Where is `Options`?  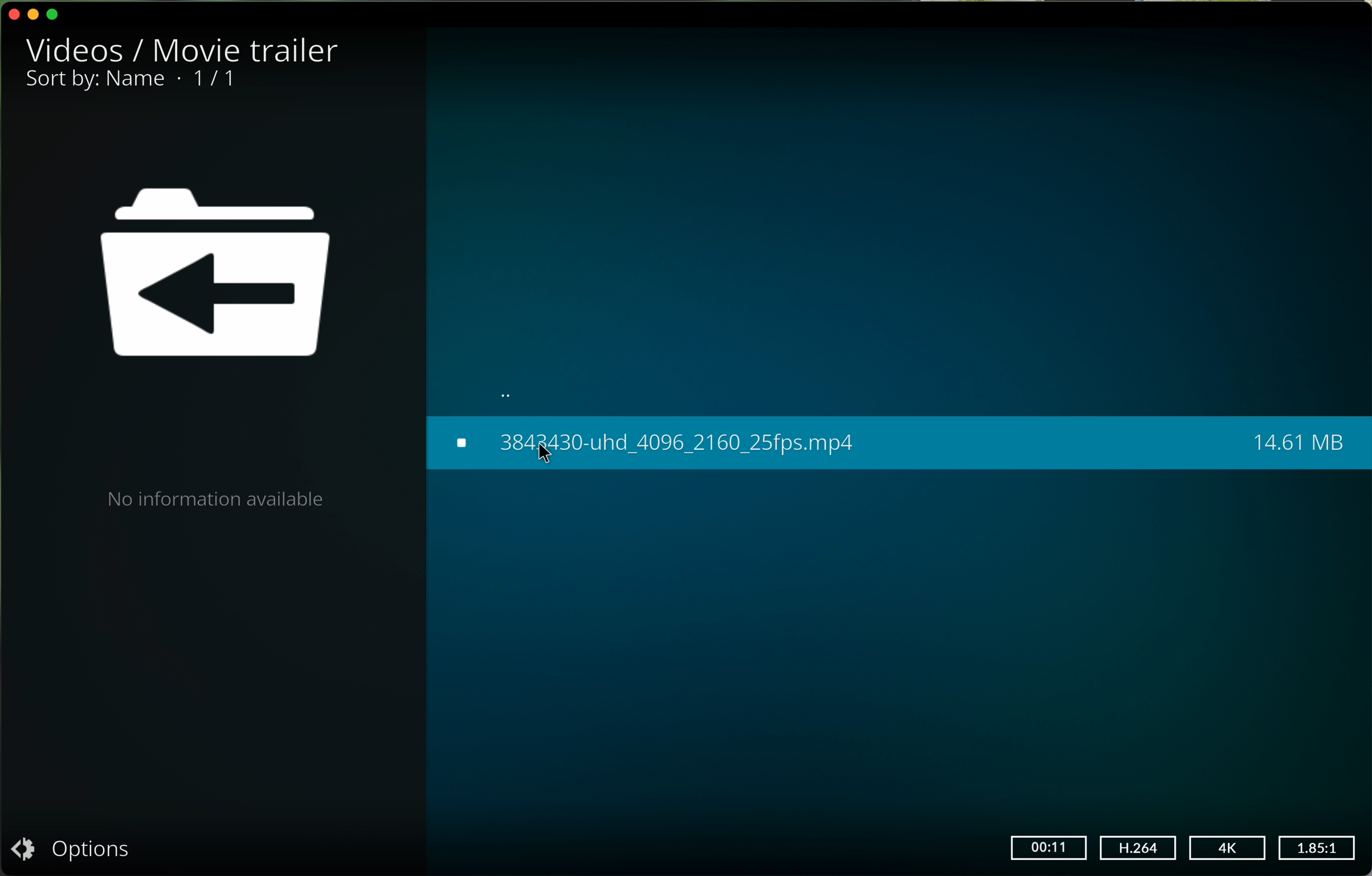
Options is located at coordinates (76, 849).